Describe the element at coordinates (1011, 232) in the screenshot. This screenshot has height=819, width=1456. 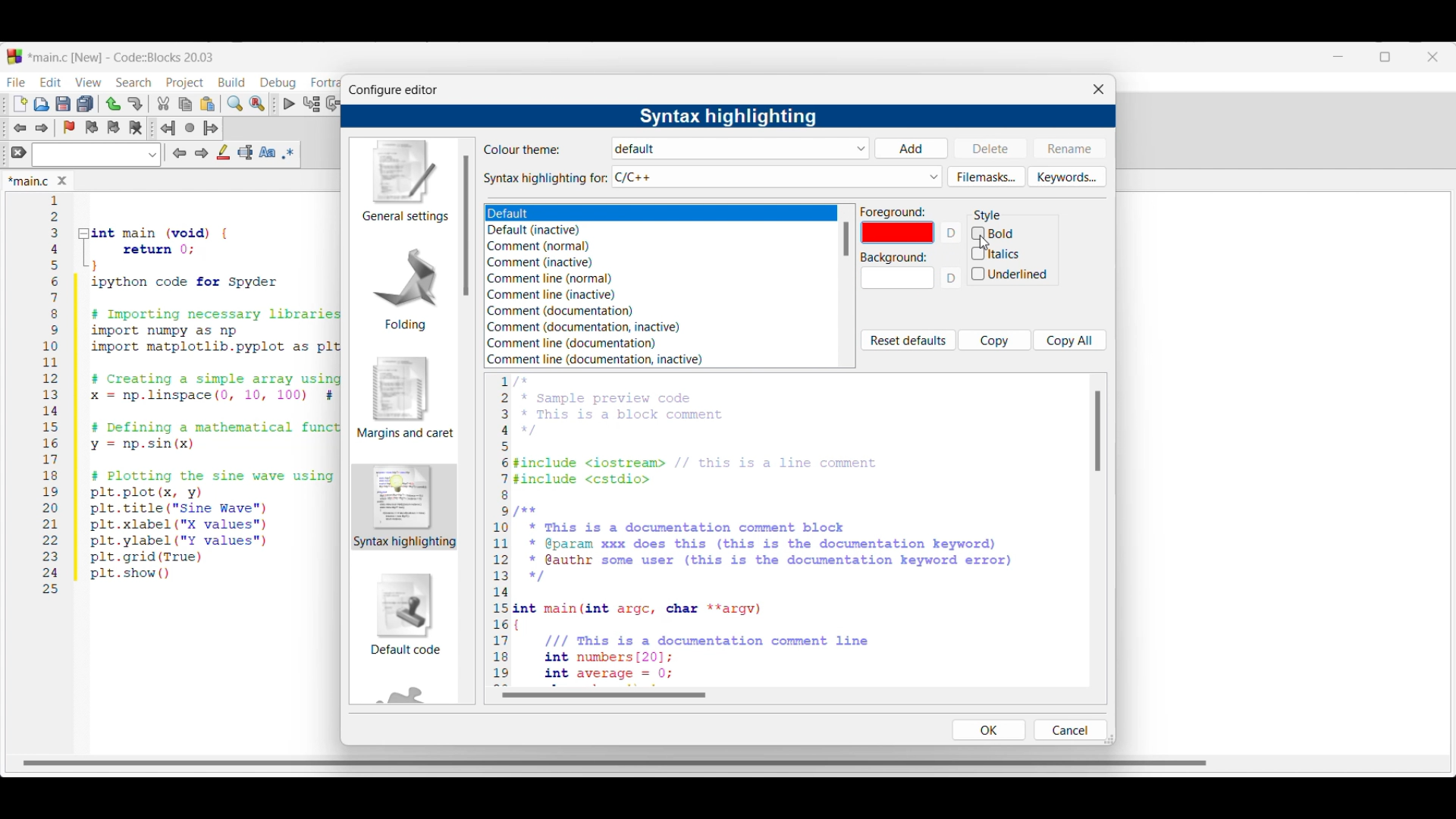
I see `Bold` at that location.